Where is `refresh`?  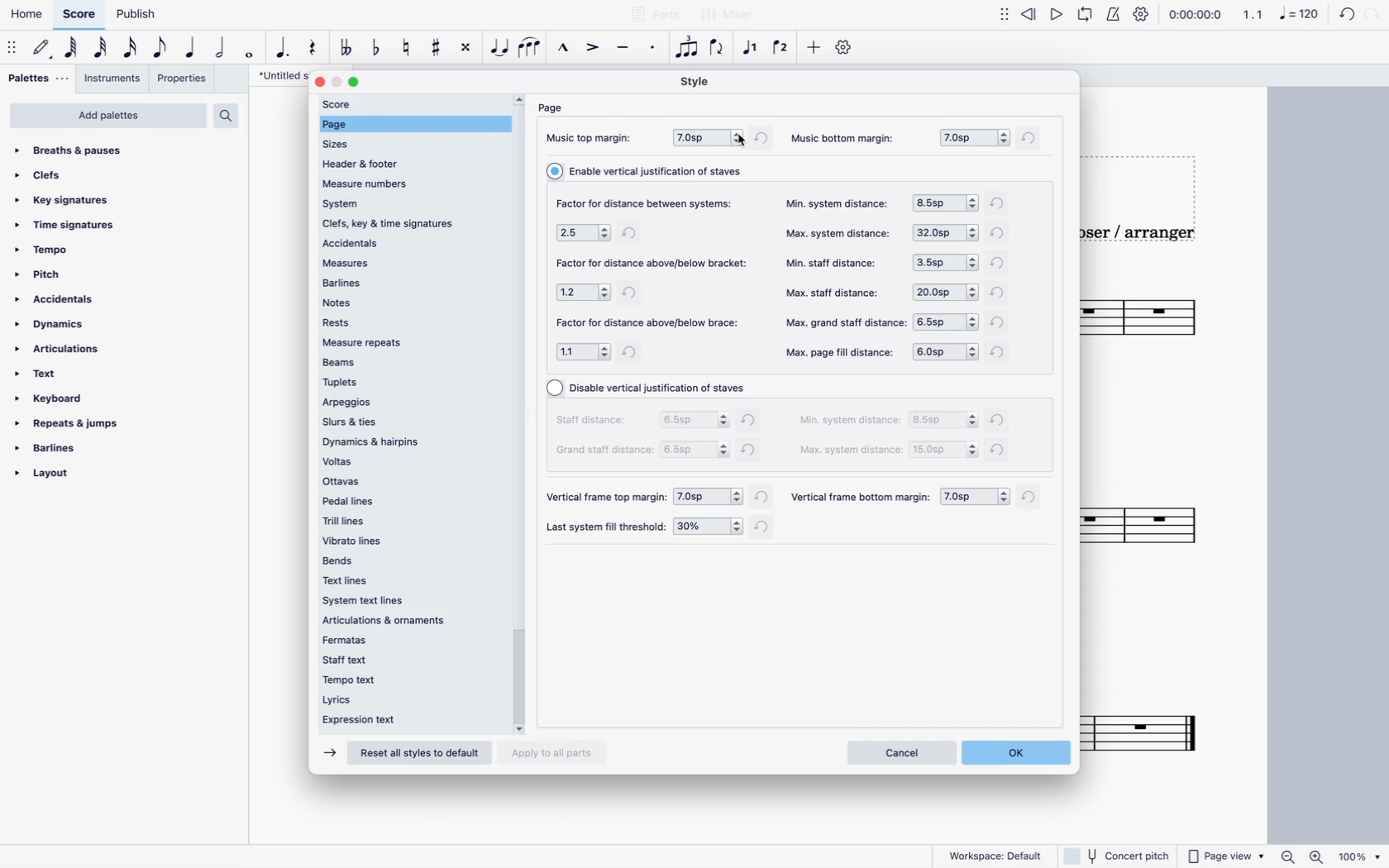
refresh is located at coordinates (1000, 264).